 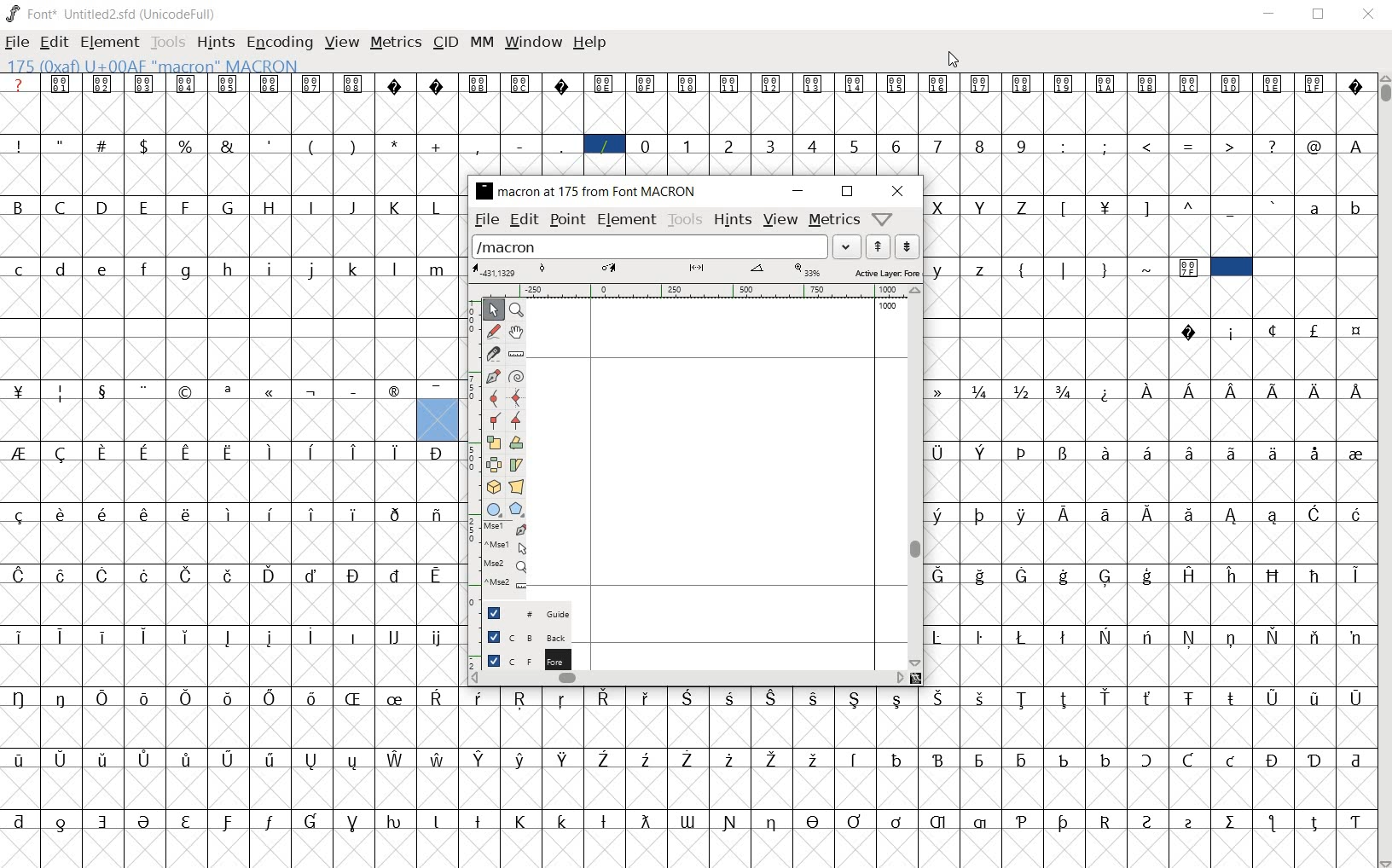 What do you see at coordinates (1356, 697) in the screenshot?
I see `Symbol` at bounding box center [1356, 697].